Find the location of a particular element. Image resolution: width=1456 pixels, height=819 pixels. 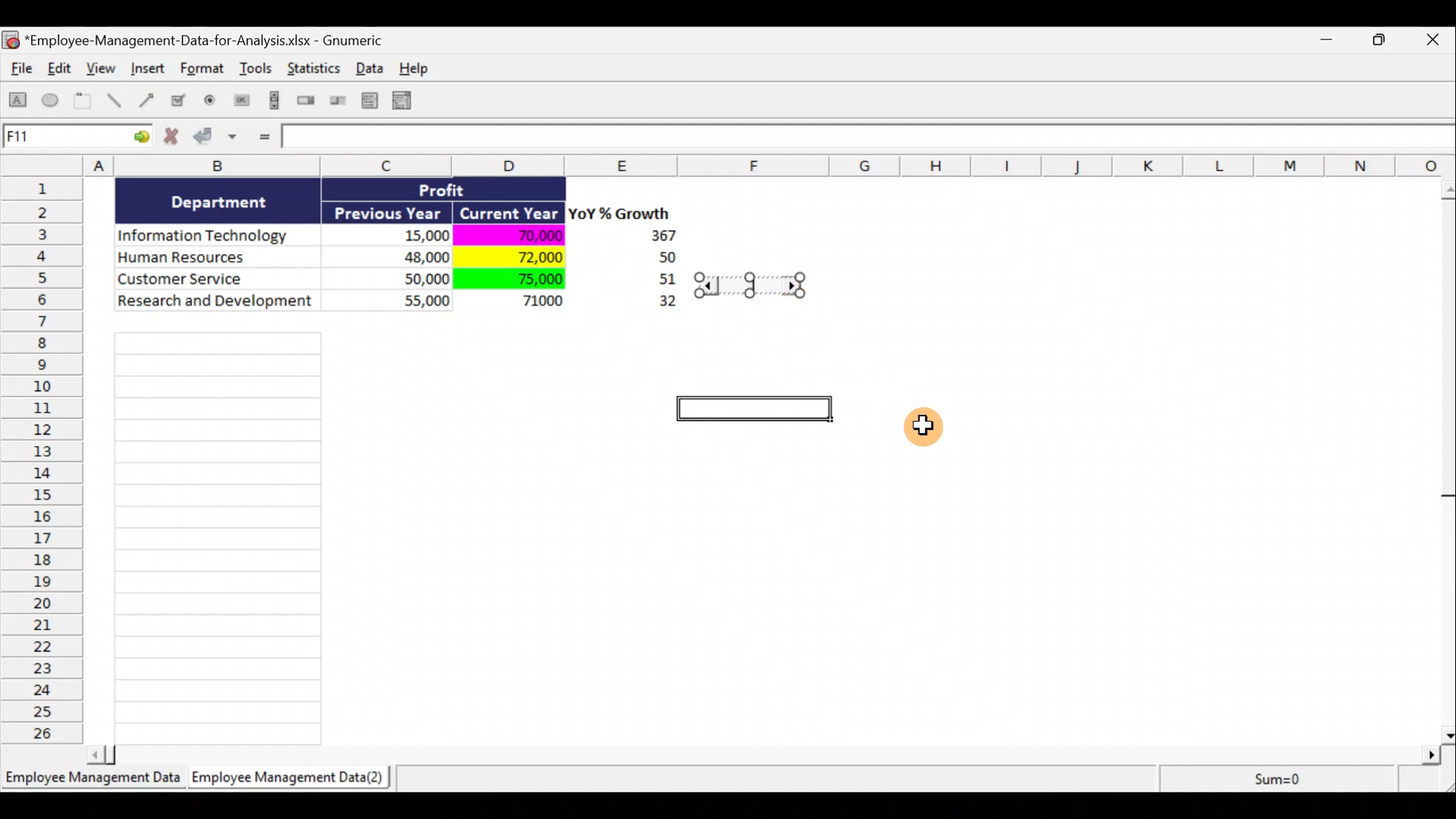

Format is located at coordinates (204, 71).